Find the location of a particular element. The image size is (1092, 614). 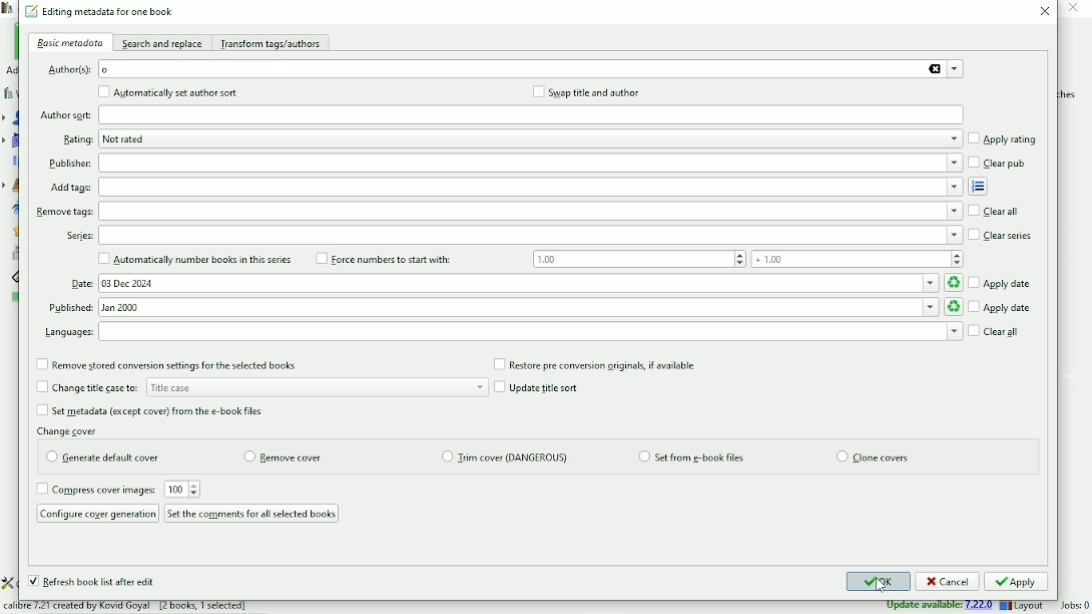

Layout is located at coordinates (1024, 606).